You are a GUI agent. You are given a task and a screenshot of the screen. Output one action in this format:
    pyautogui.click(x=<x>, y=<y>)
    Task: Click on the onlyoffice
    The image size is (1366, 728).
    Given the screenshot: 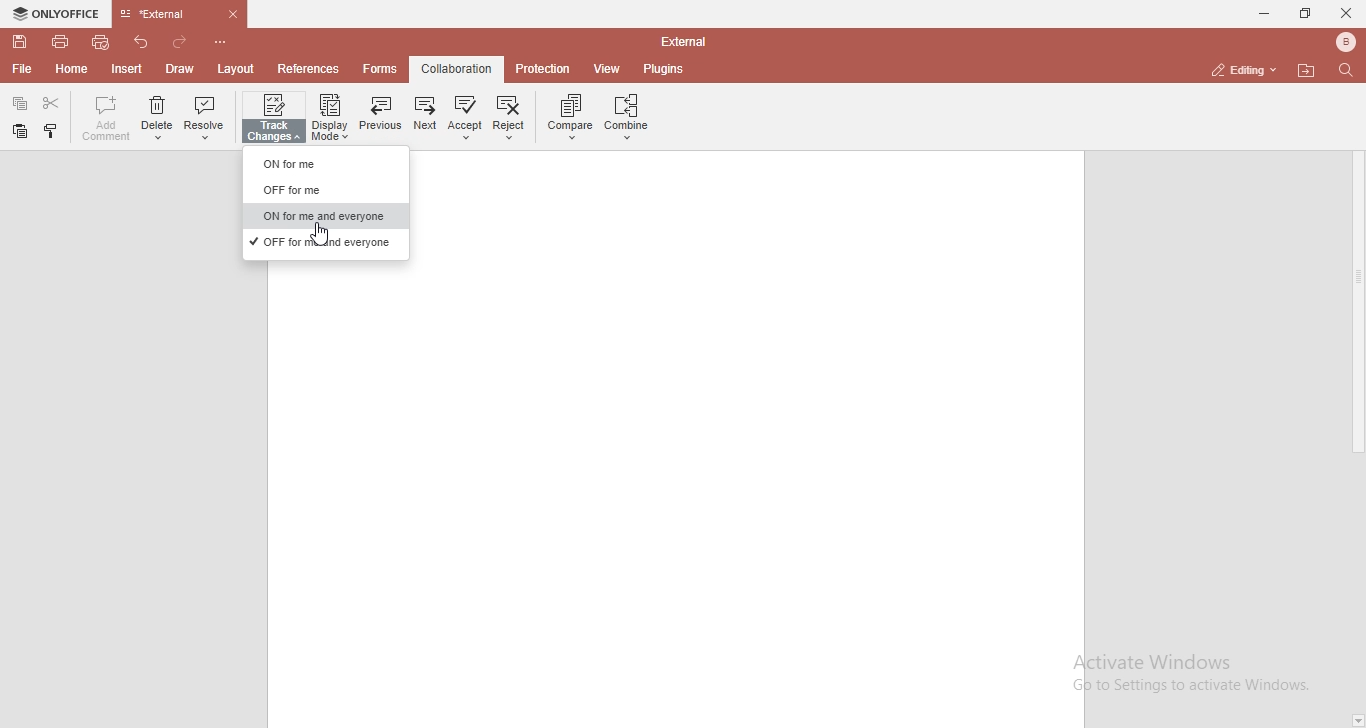 What is the action you would take?
    pyautogui.click(x=58, y=13)
    